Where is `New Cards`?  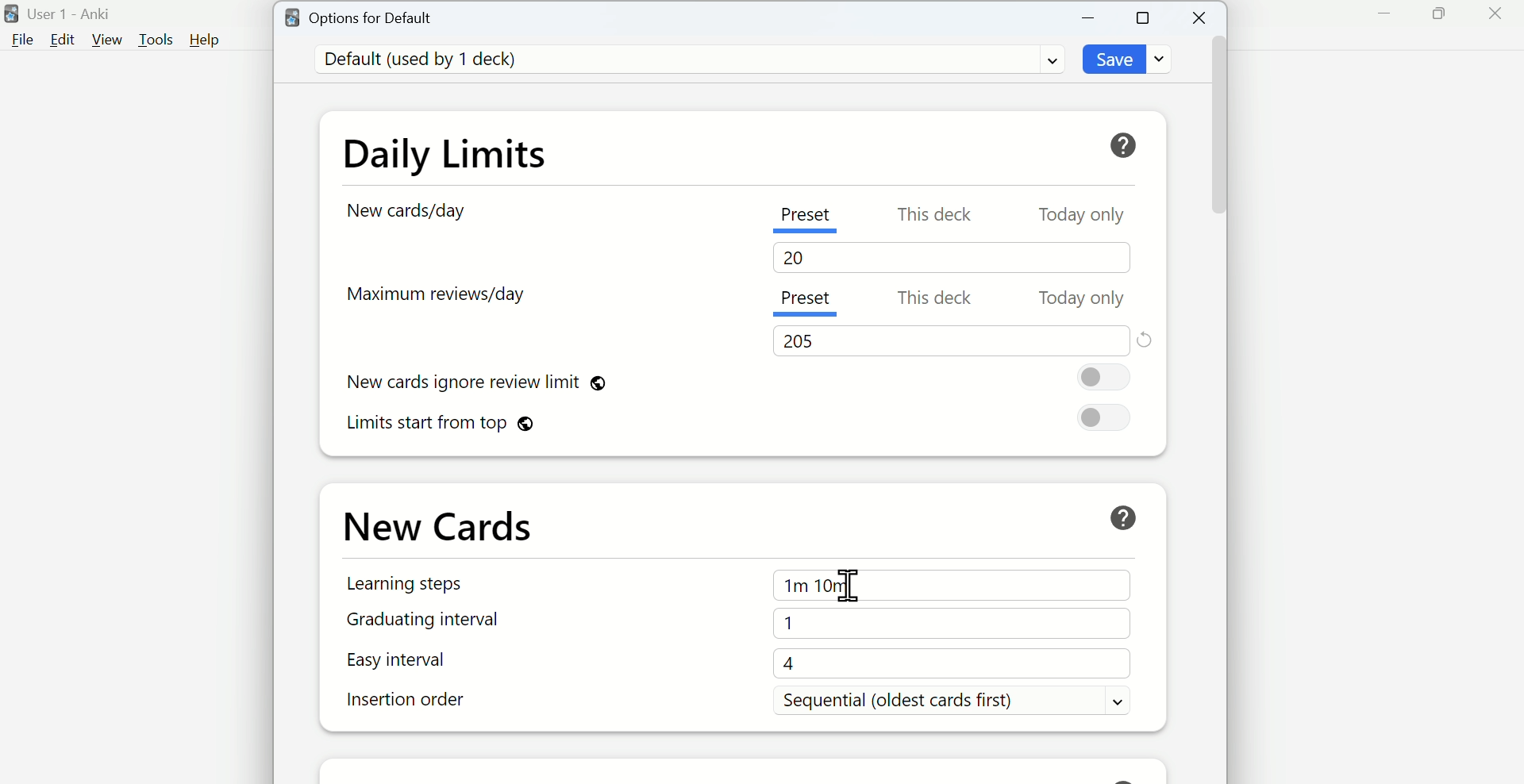
New Cards is located at coordinates (453, 523).